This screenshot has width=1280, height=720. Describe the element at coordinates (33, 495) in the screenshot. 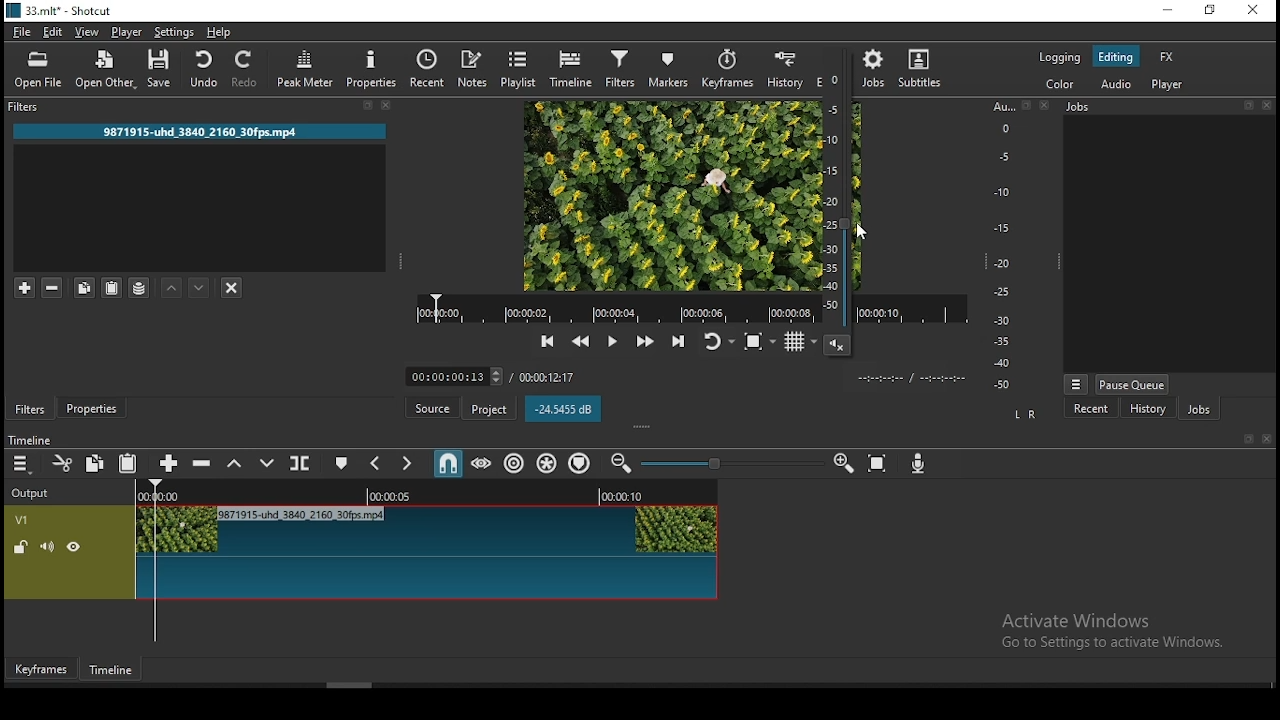

I see `output` at that location.